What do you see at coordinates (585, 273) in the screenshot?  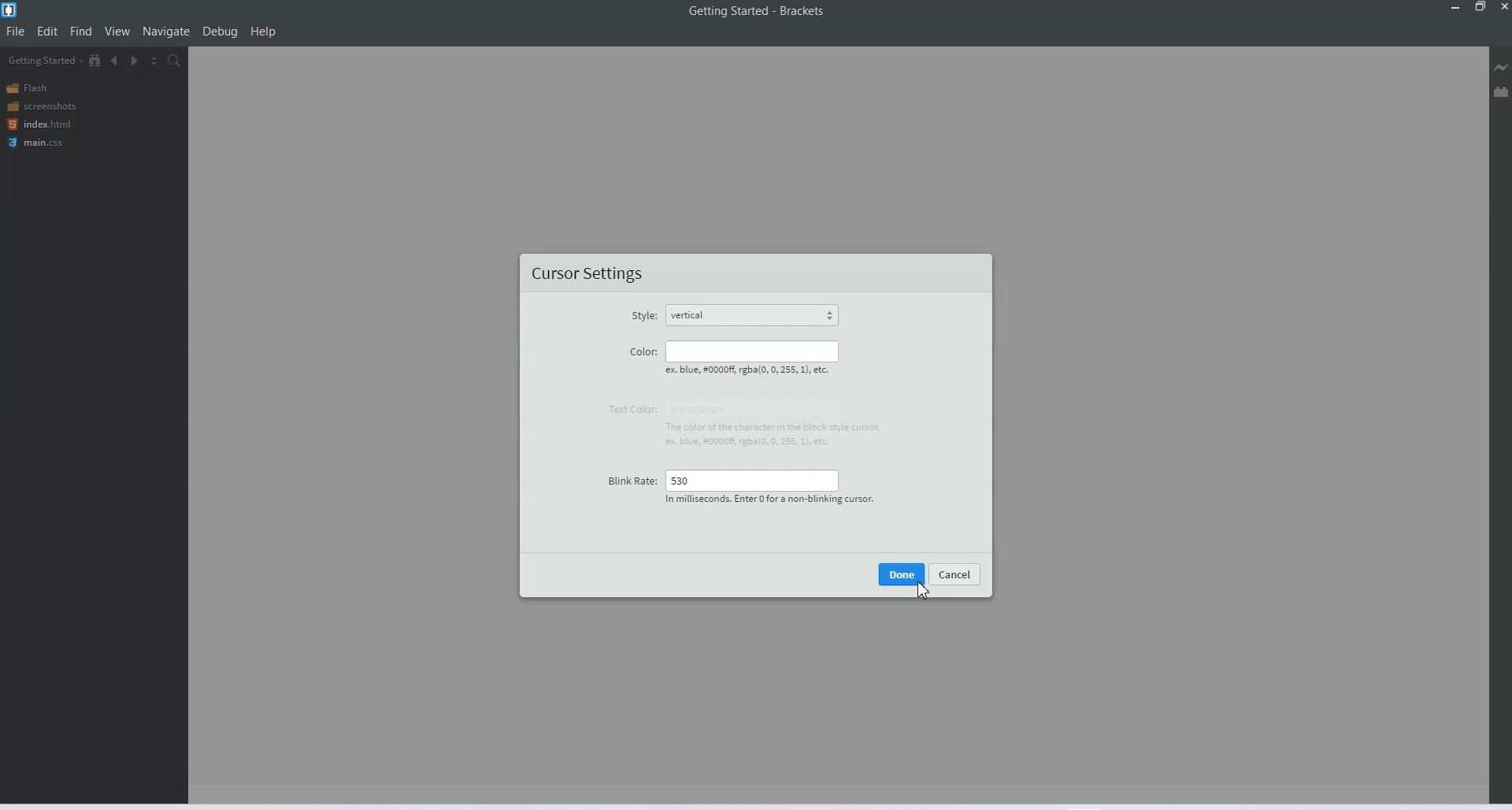 I see `Cursor setting` at bounding box center [585, 273].